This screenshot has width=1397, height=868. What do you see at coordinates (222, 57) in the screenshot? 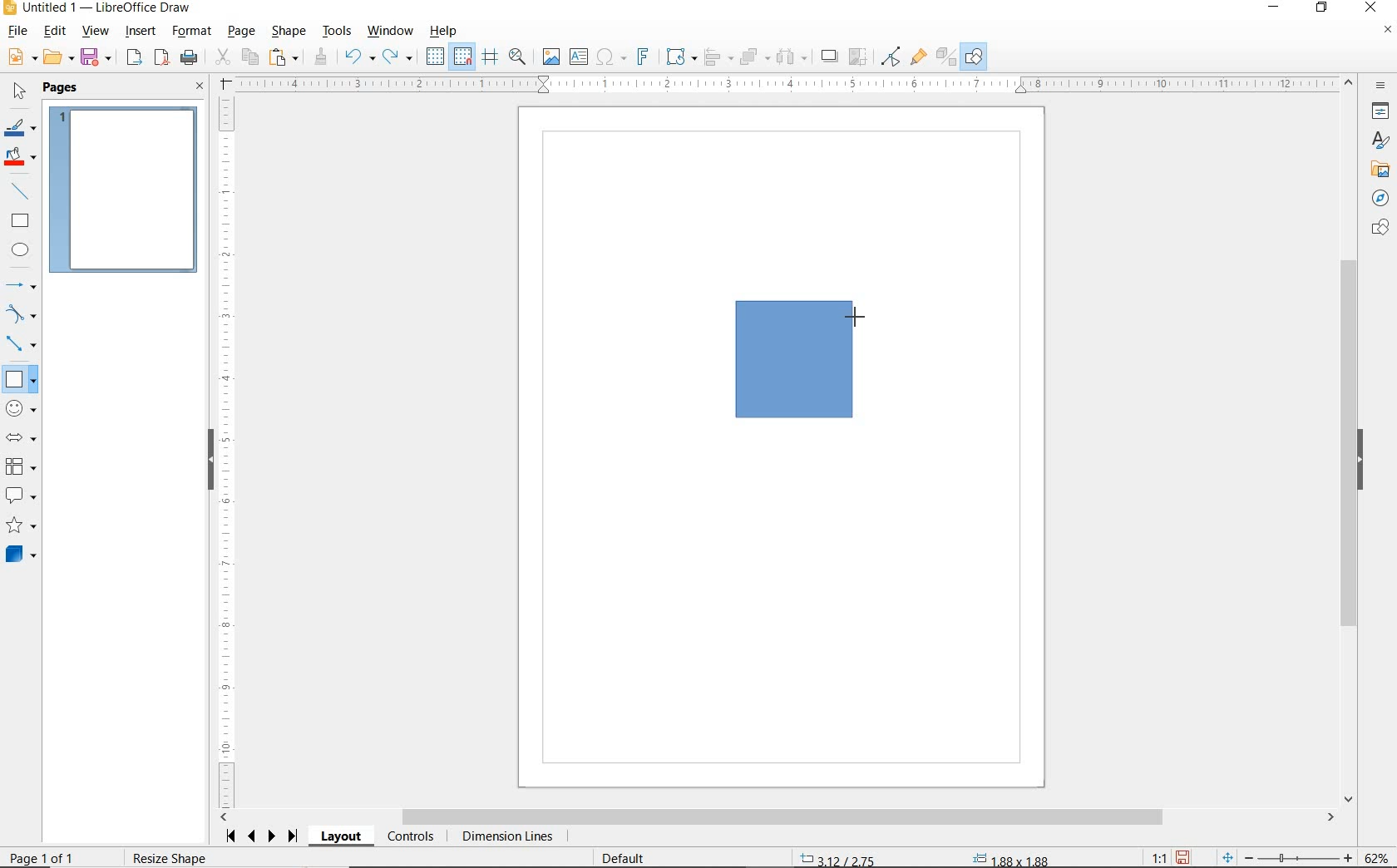
I see `CUT` at bounding box center [222, 57].